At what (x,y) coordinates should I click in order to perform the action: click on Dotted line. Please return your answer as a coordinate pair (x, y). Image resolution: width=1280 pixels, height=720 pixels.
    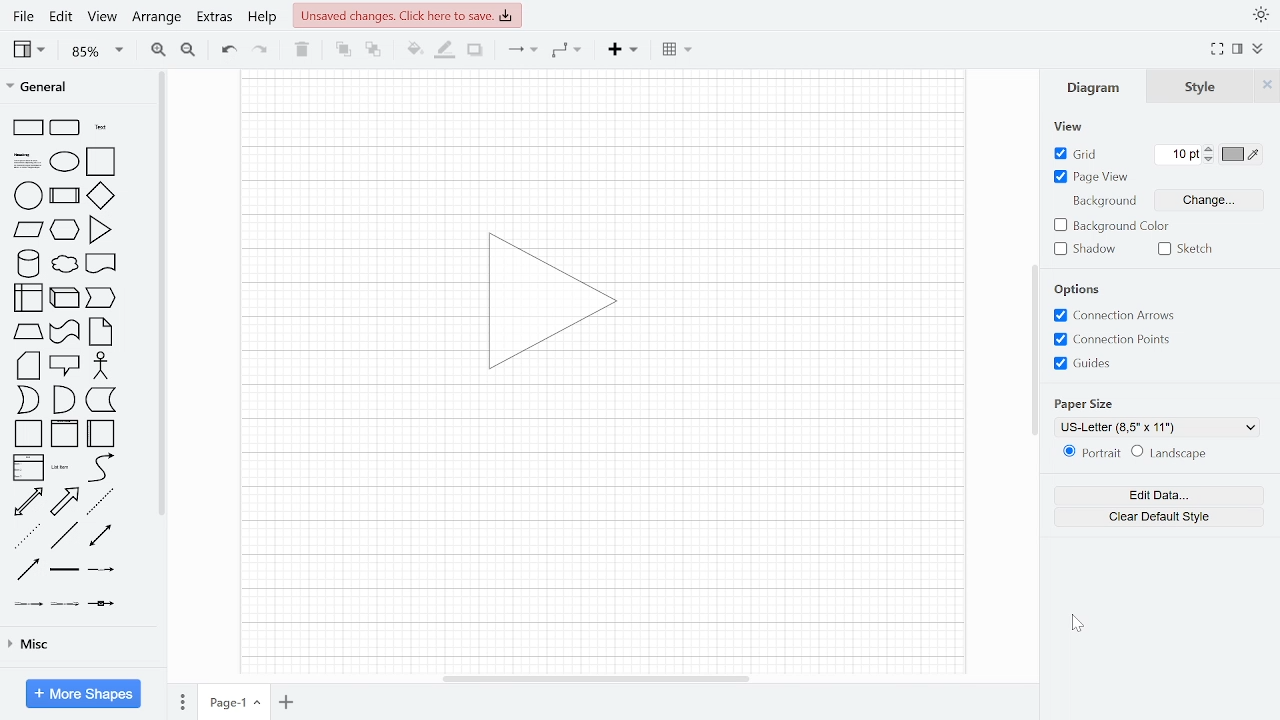
    Looking at the image, I should click on (27, 536).